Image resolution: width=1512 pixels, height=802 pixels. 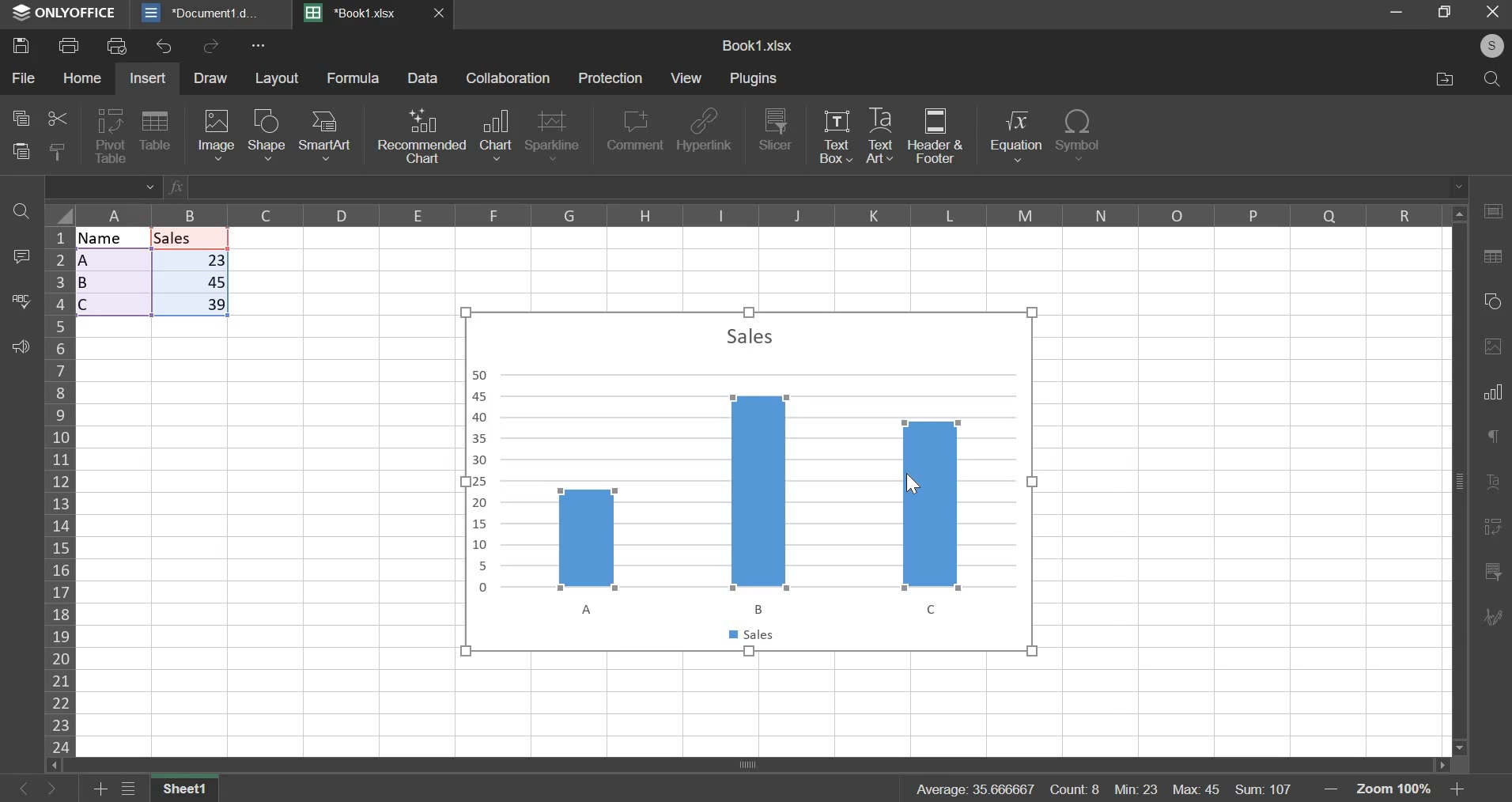 I want to click on undo, so click(x=165, y=47).